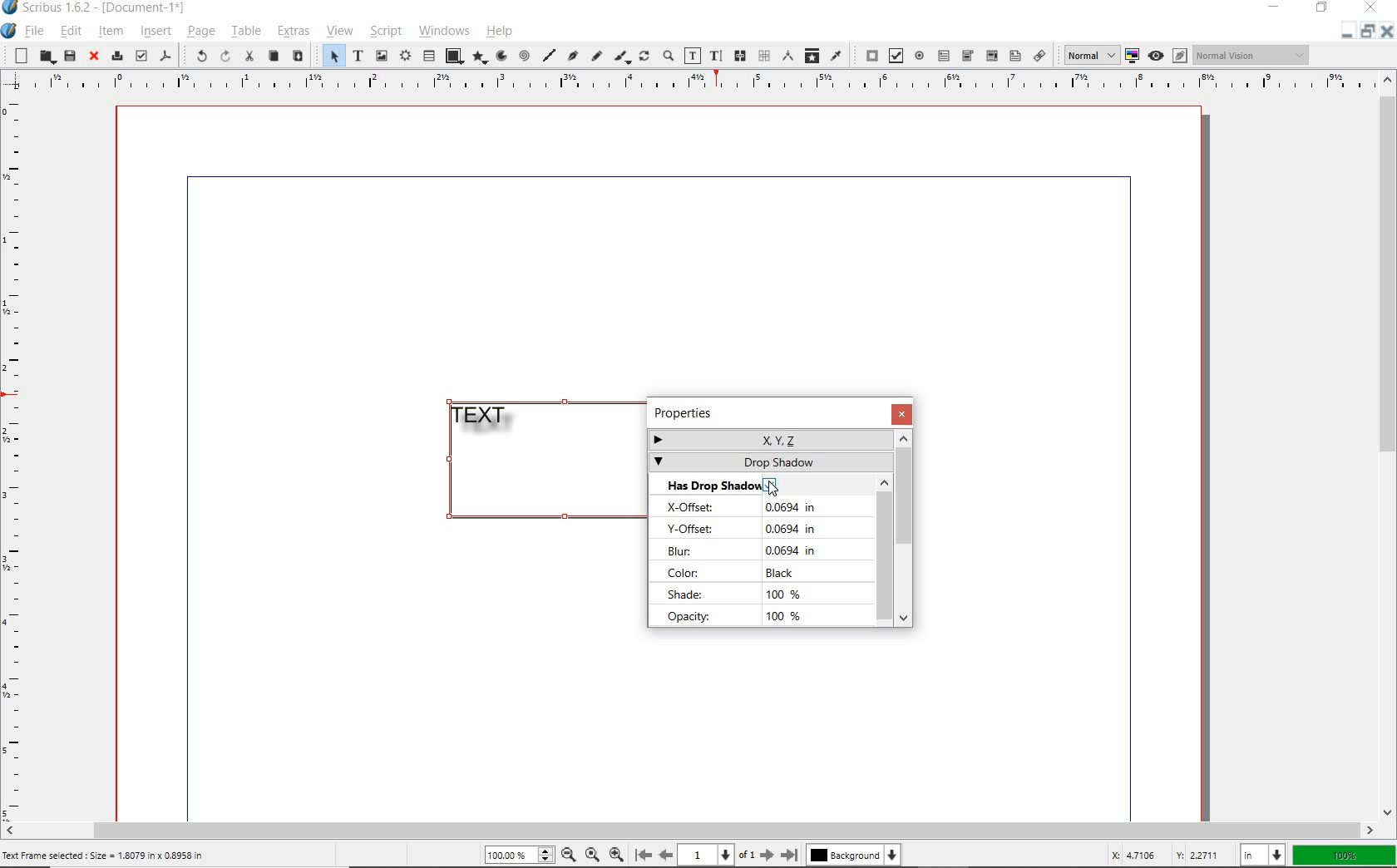 The height and width of the screenshot is (868, 1397). What do you see at coordinates (385, 30) in the screenshot?
I see `script` at bounding box center [385, 30].